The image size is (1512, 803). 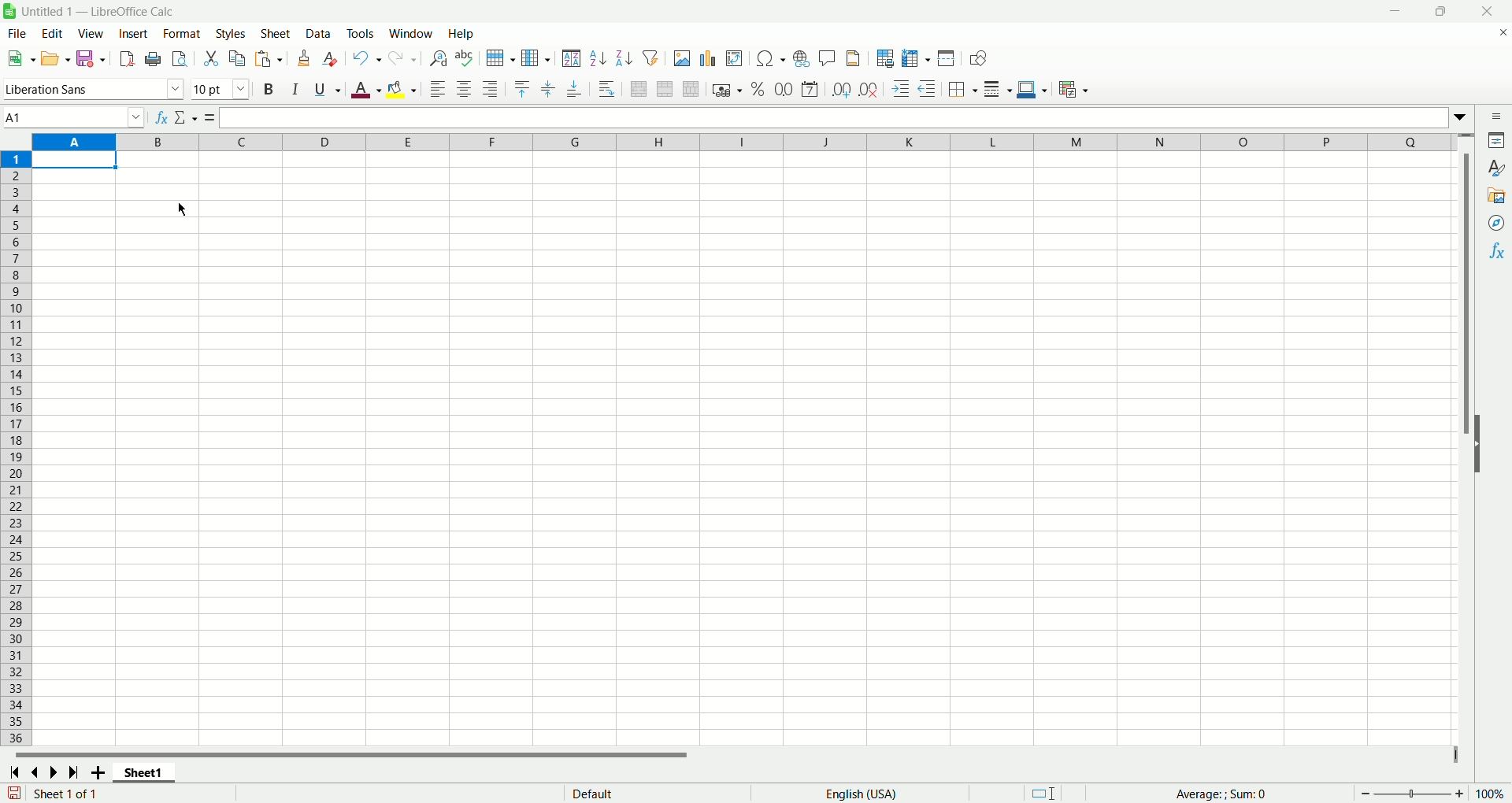 I want to click on spelling, so click(x=464, y=59).